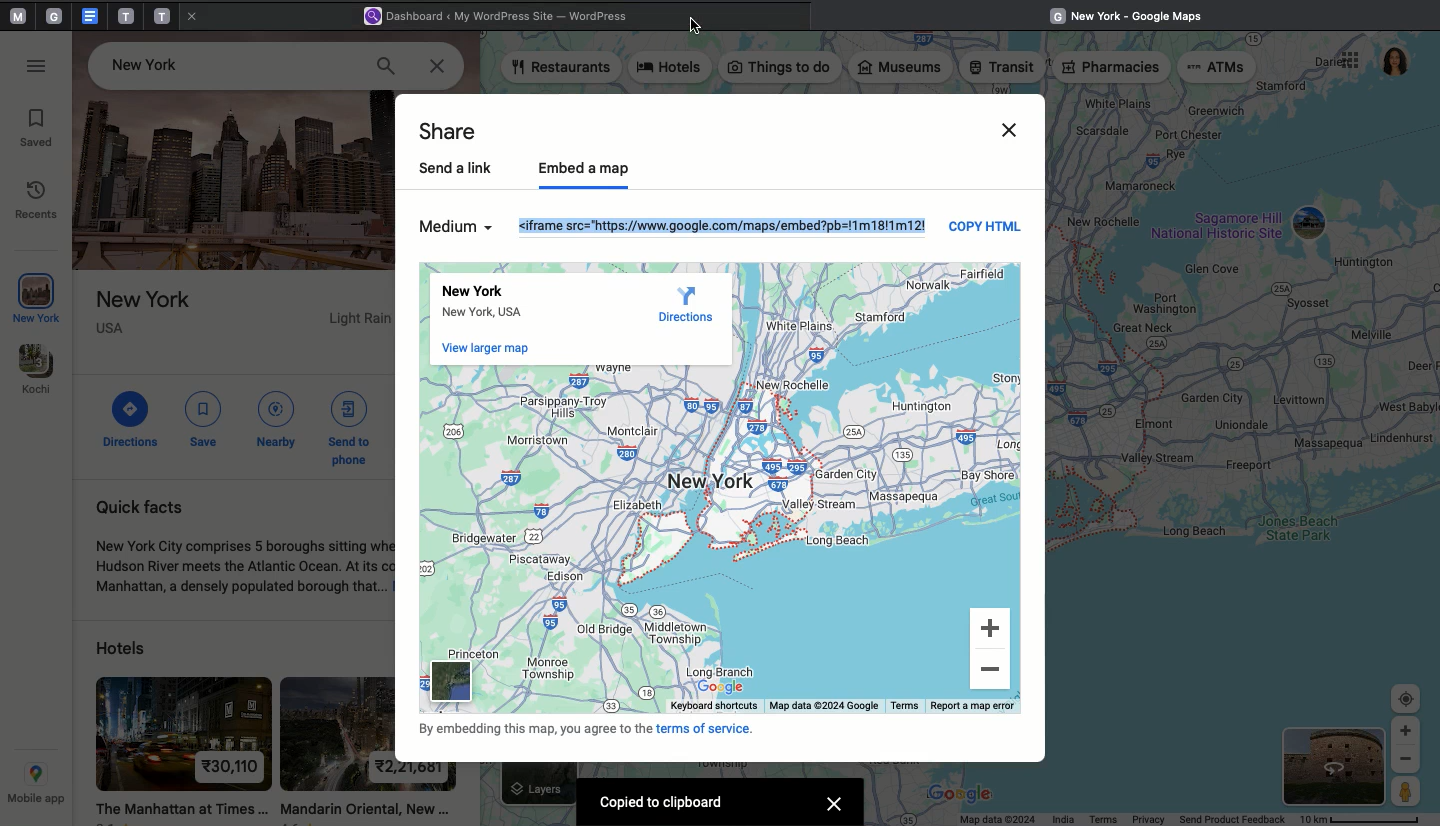  Describe the element at coordinates (993, 672) in the screenshot. I see `Zoom out` at that location.